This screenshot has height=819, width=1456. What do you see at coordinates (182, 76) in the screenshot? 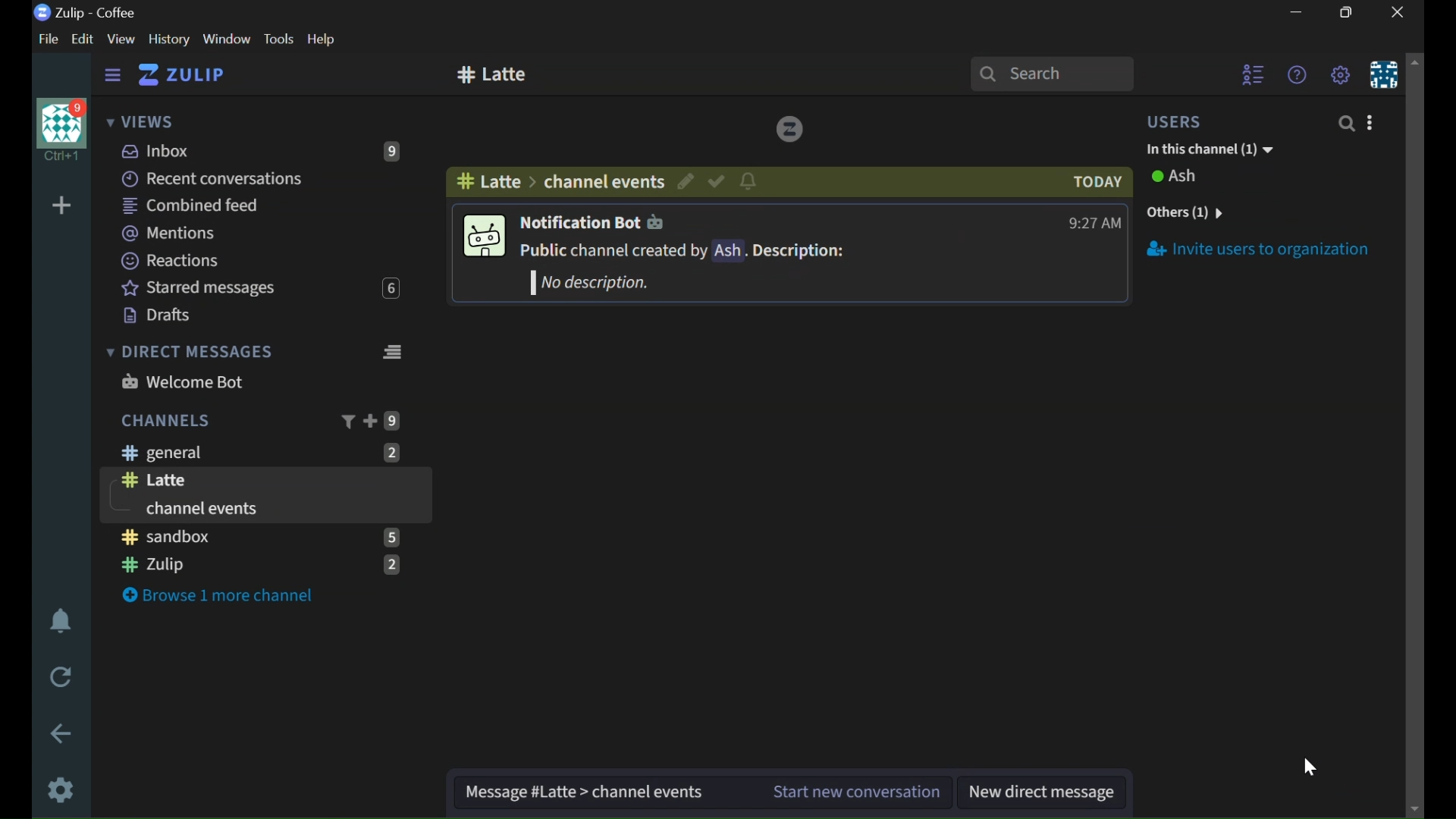
I see `ZULIP` at bounding box center [182, 76].